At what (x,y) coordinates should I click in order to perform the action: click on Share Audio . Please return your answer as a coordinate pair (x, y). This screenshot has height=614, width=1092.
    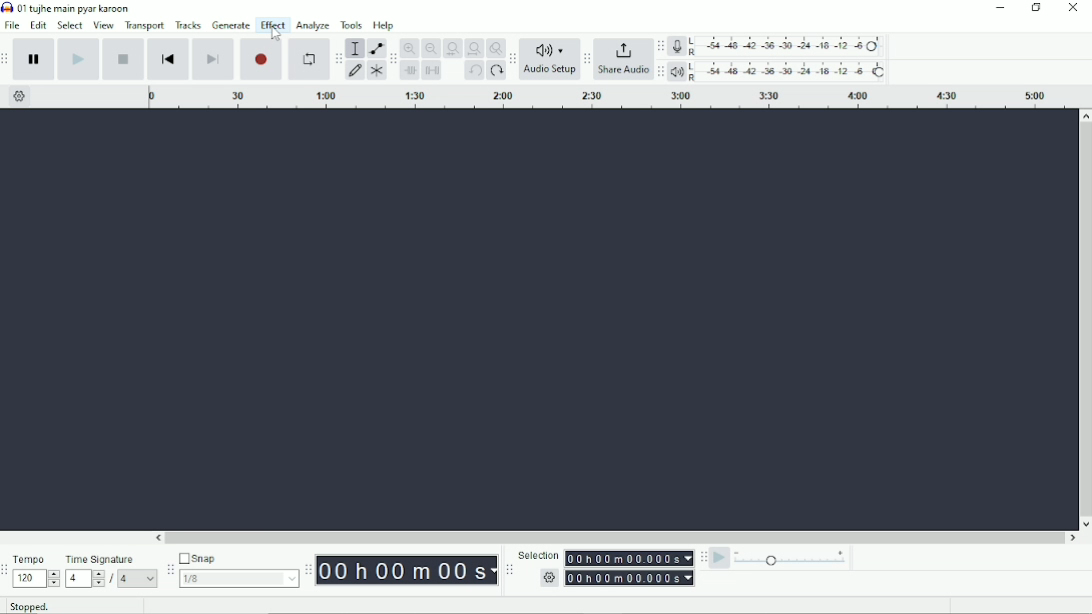
    Looking at the image, I should click on (624, 62).